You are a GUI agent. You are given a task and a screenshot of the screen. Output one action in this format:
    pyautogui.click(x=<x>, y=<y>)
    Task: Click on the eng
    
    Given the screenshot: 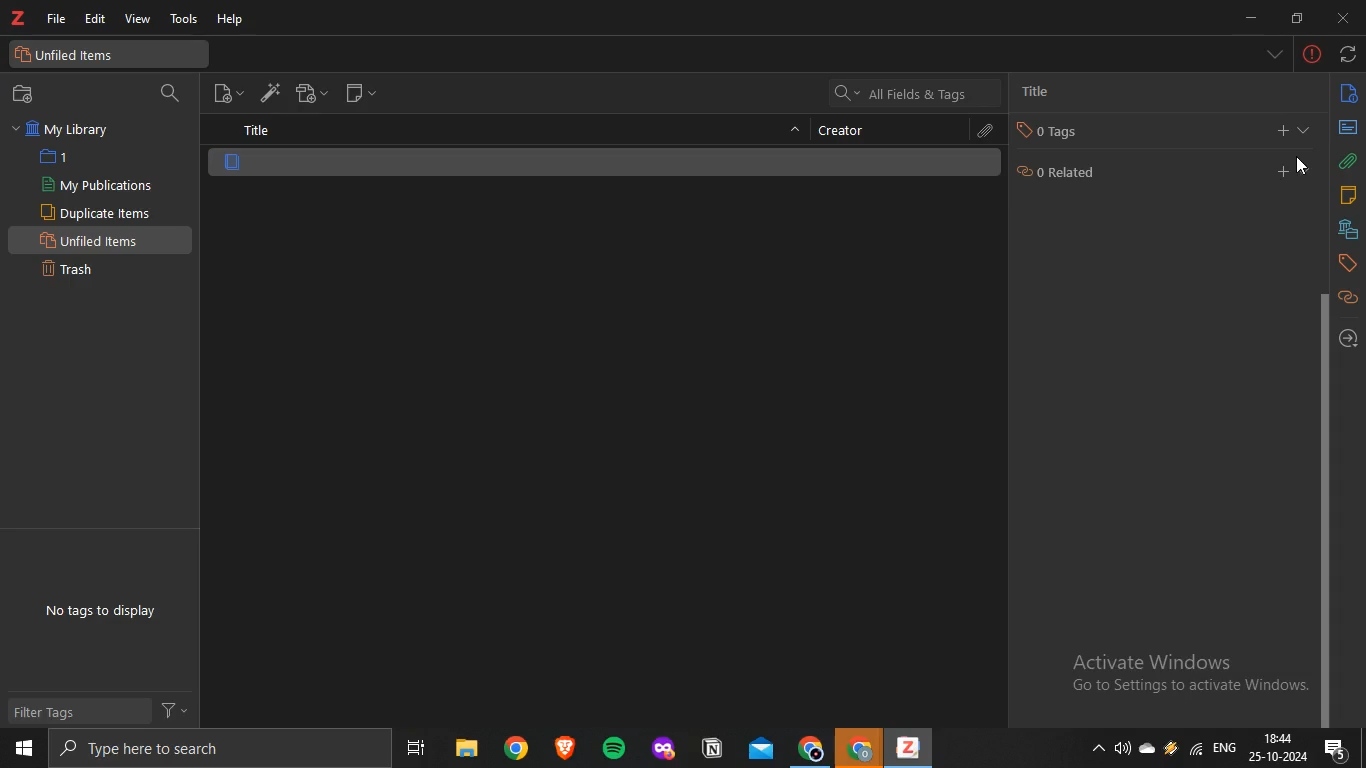 What is the action you would take?
    pyautogui.click(x=1224, y=750)
    